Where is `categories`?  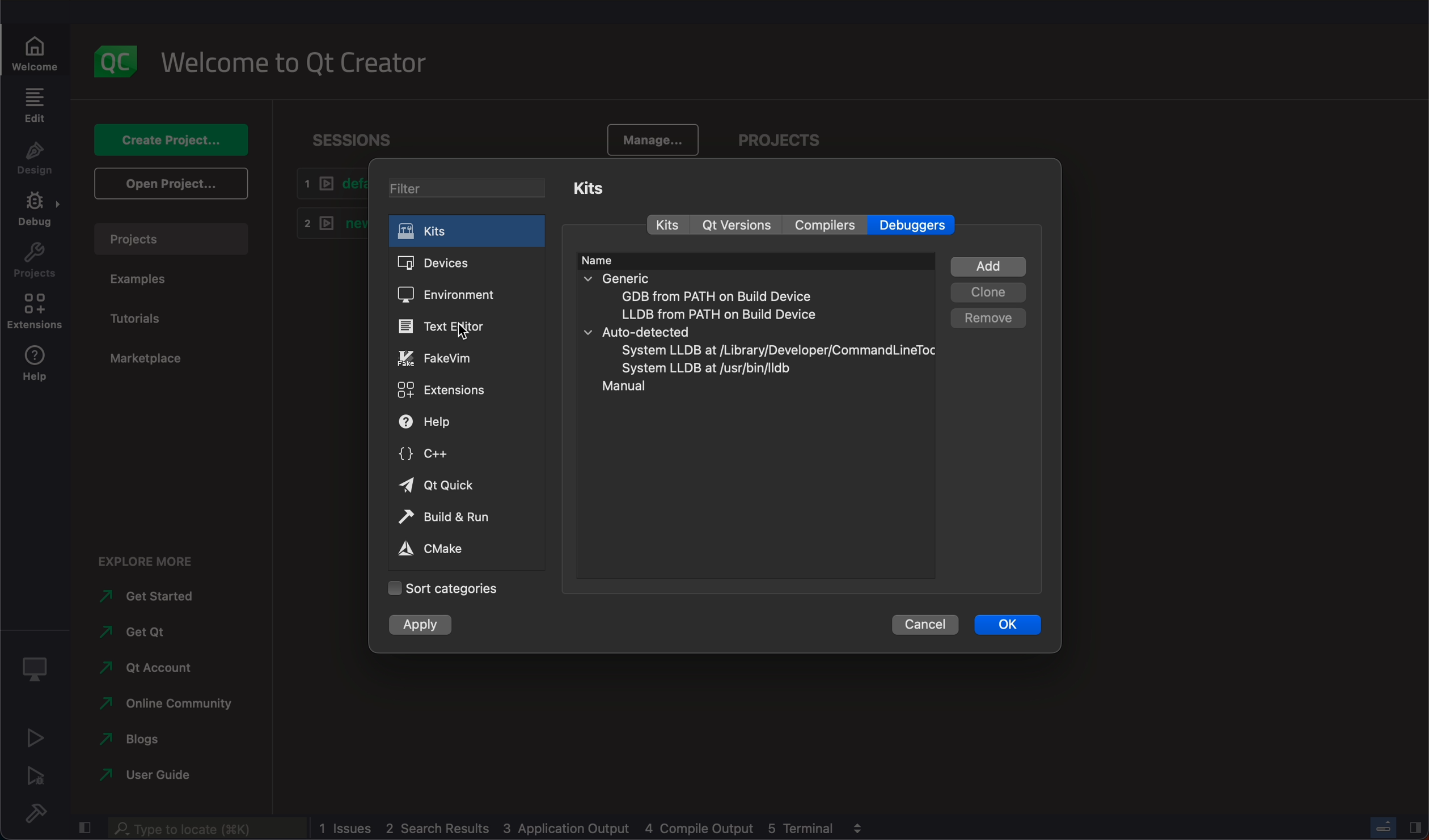 categories is located at coordinates (446, 587).